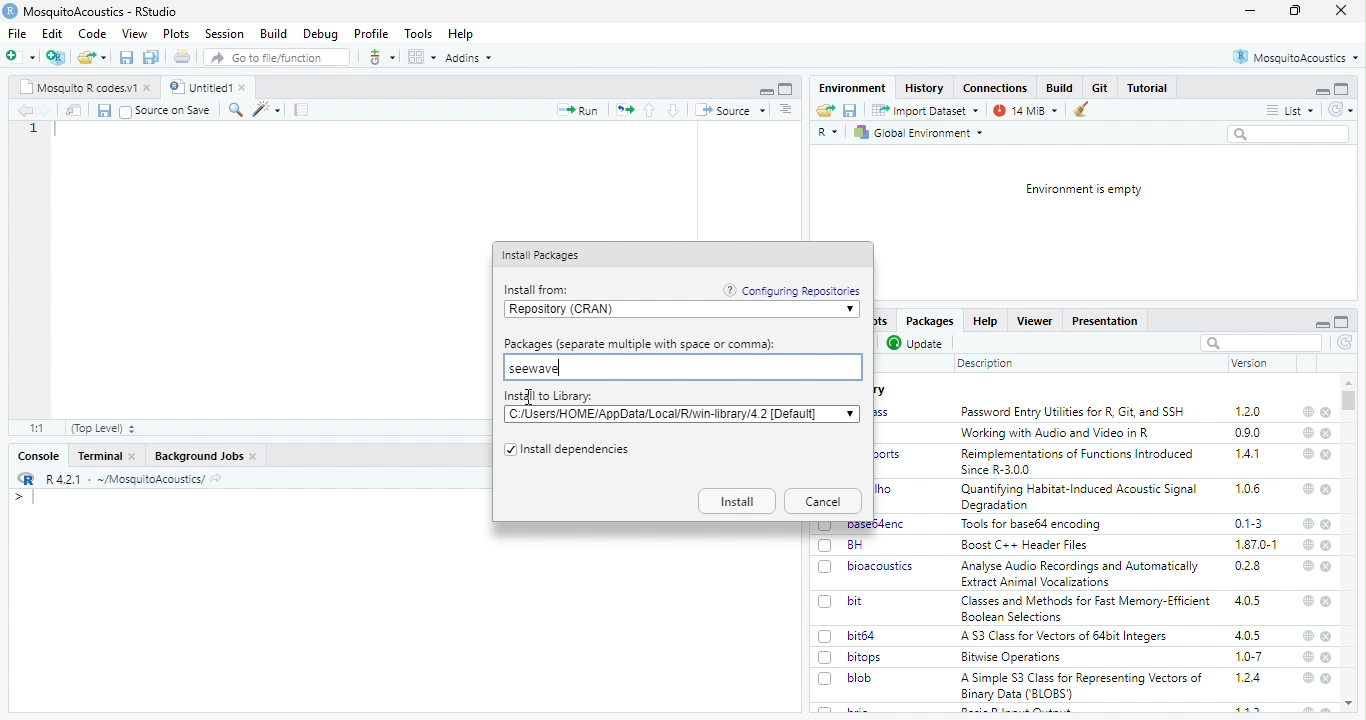  What do you see at coordinates (1030, 545) in the screenshot?
I see `Boost C++ Header Files` at bounding box center [1030, 545].